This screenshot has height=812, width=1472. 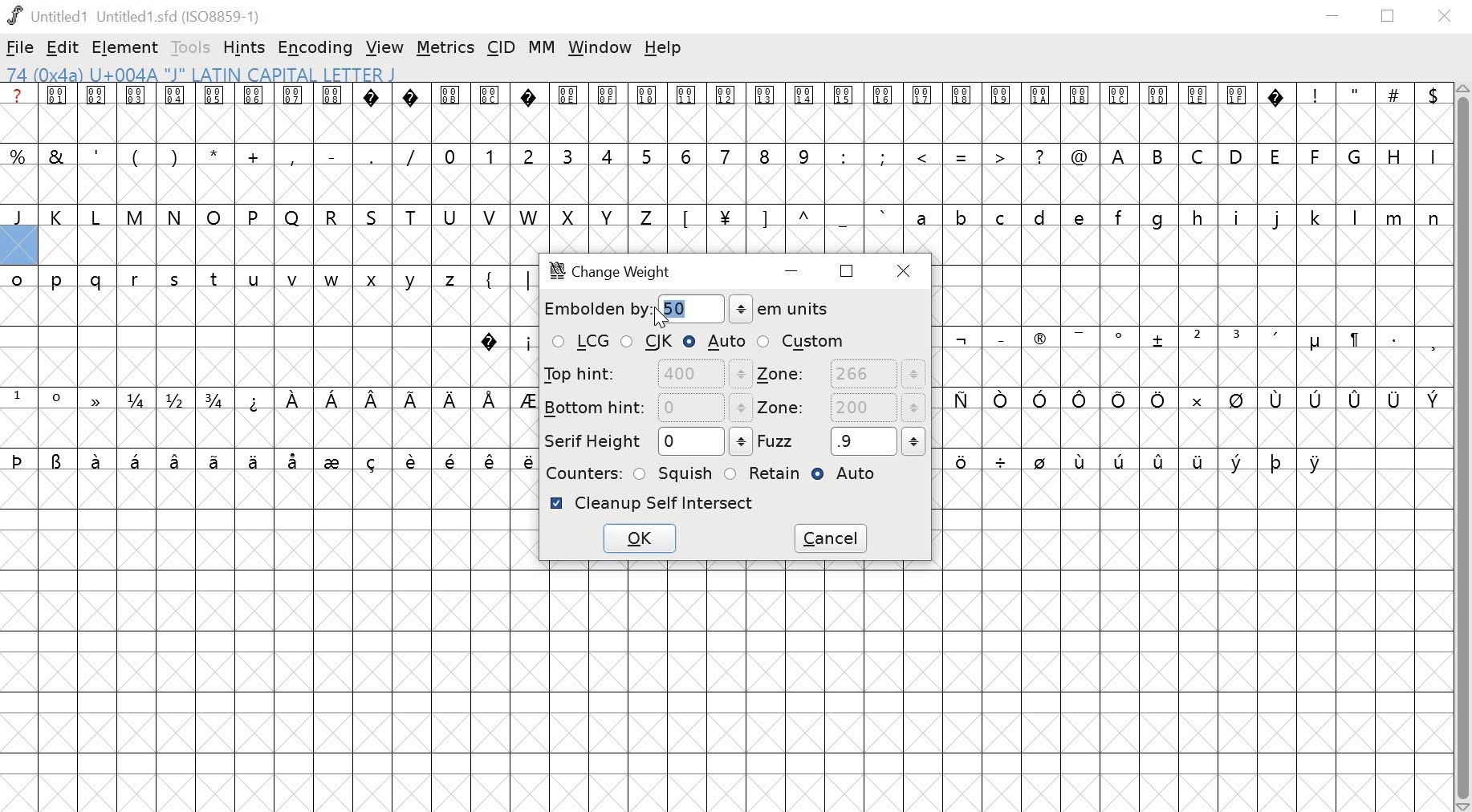 What do you see at coordinates (1176, 217) in the screenshot?
I see `lower case letter` at bounding box center [1176, 217].